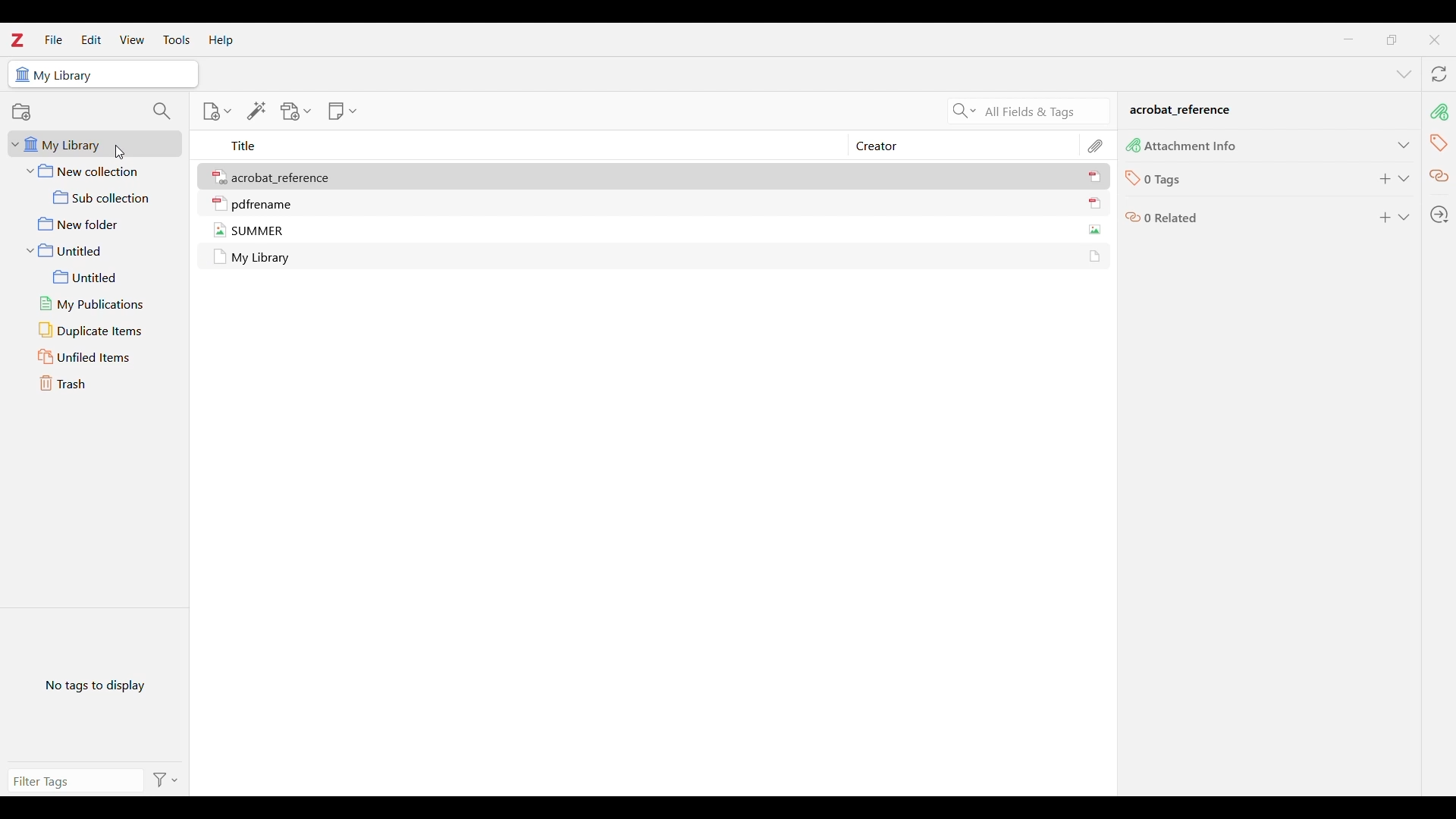 This screenshot has width=1456, height=819. What do you see at coordinates (1386, 179) in the screenshot?
I see `Add tags` at bounding box center [1386, 179].